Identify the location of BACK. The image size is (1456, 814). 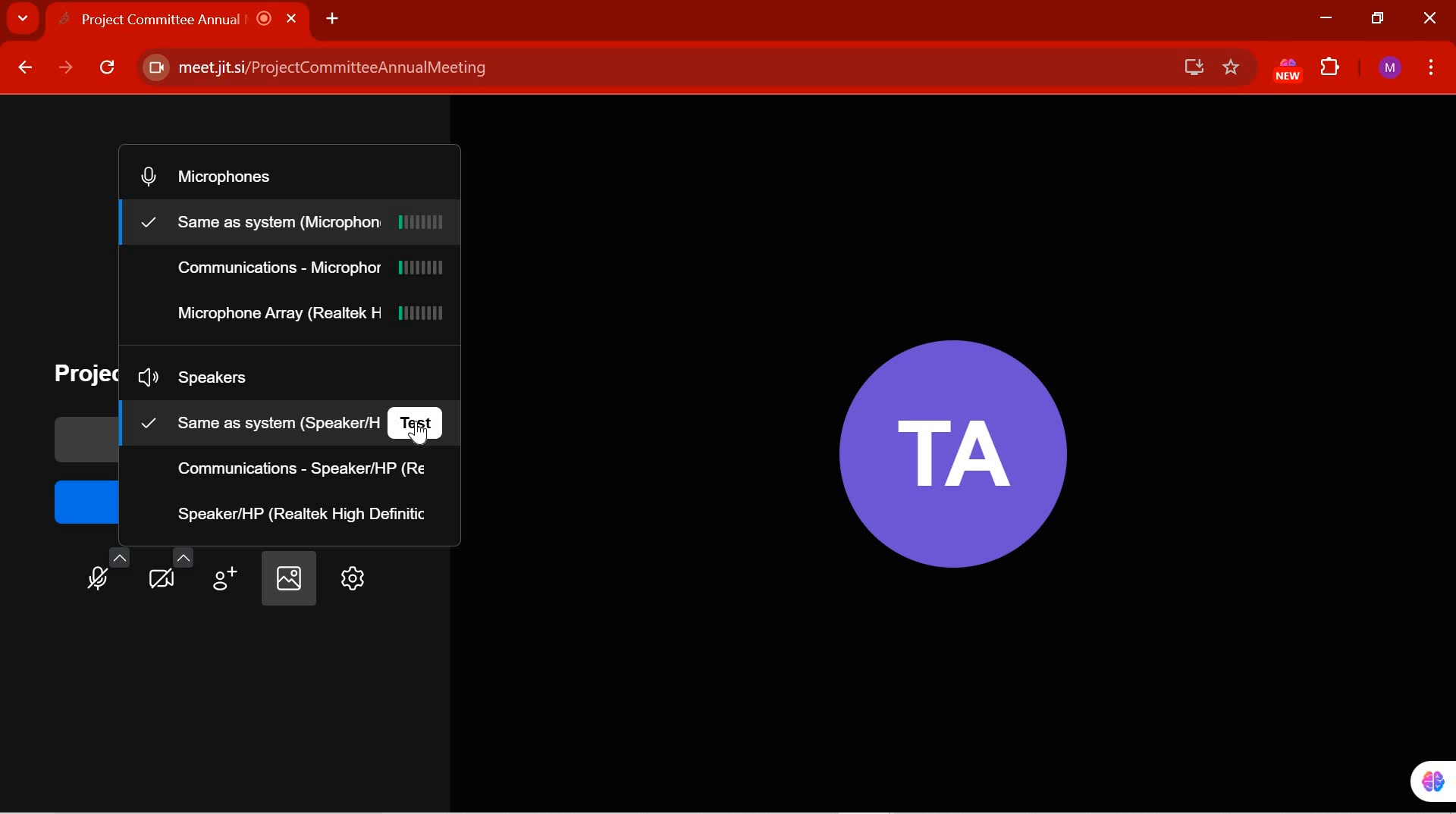
(24, 68).